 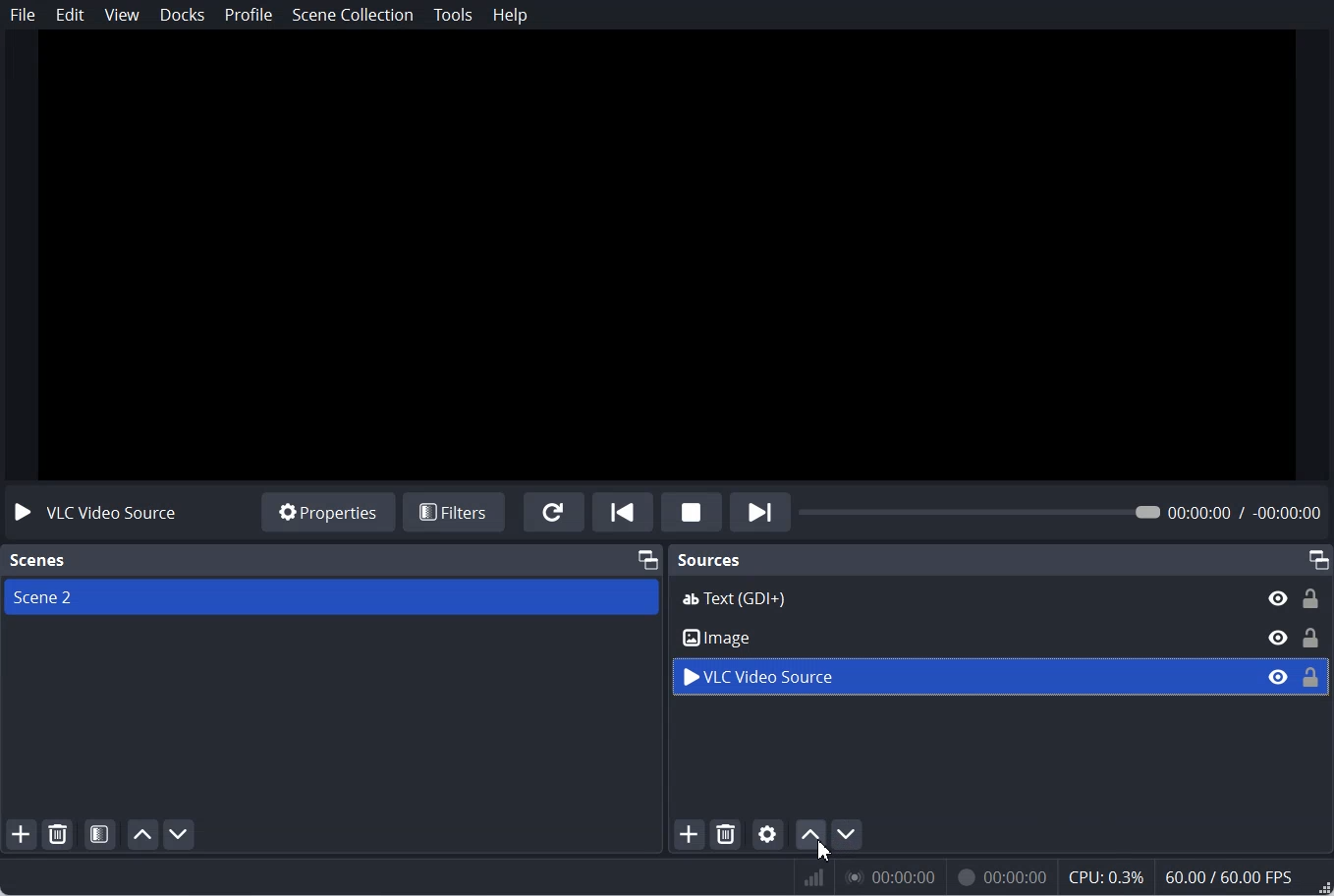 What do you see at coordinates (22, 832) in the screenshot?
I see `Add Scene` at bounding box center [22, 832].